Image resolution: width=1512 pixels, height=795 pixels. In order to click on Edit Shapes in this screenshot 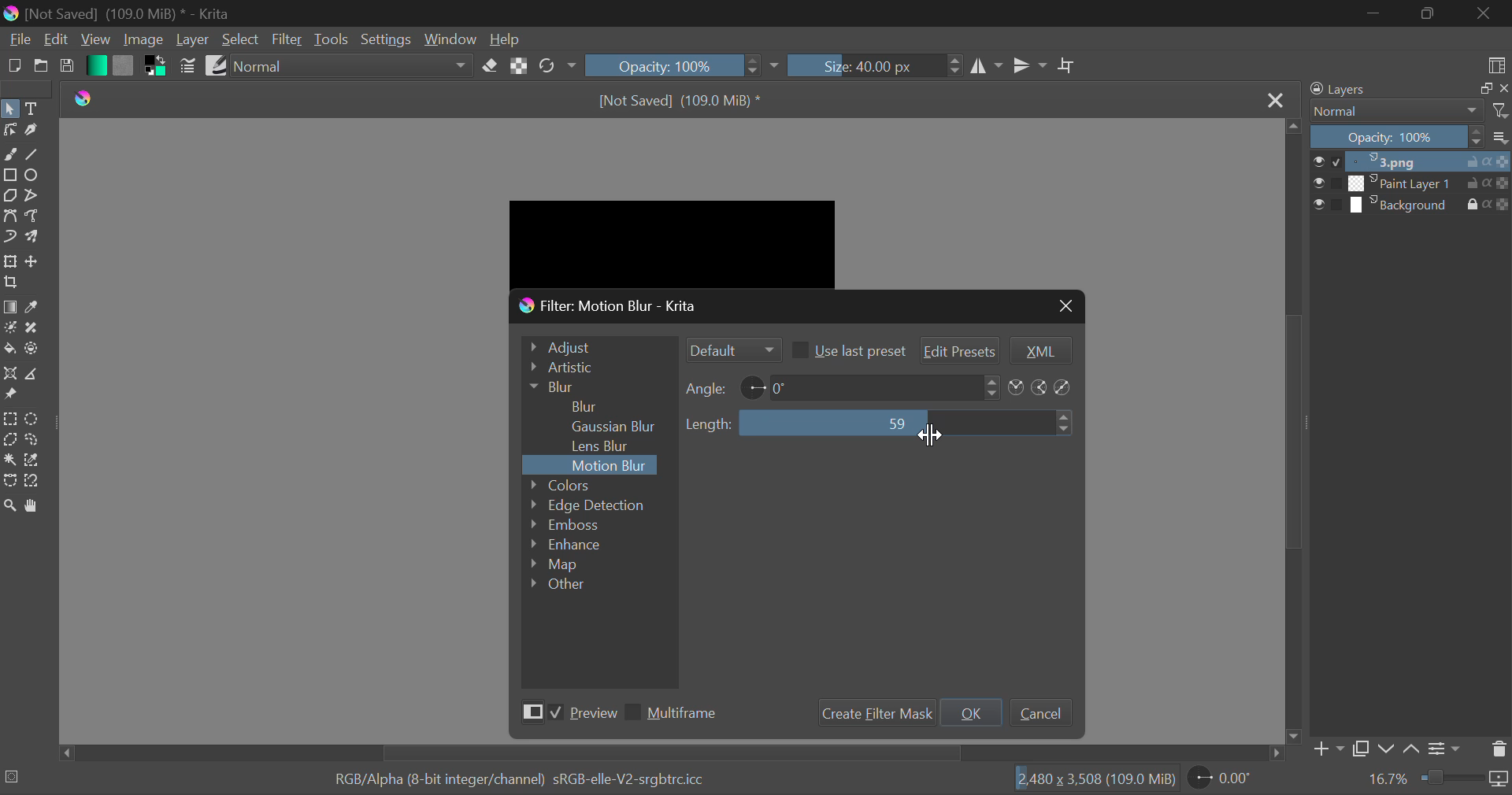, I will do `click(9, 131)`.